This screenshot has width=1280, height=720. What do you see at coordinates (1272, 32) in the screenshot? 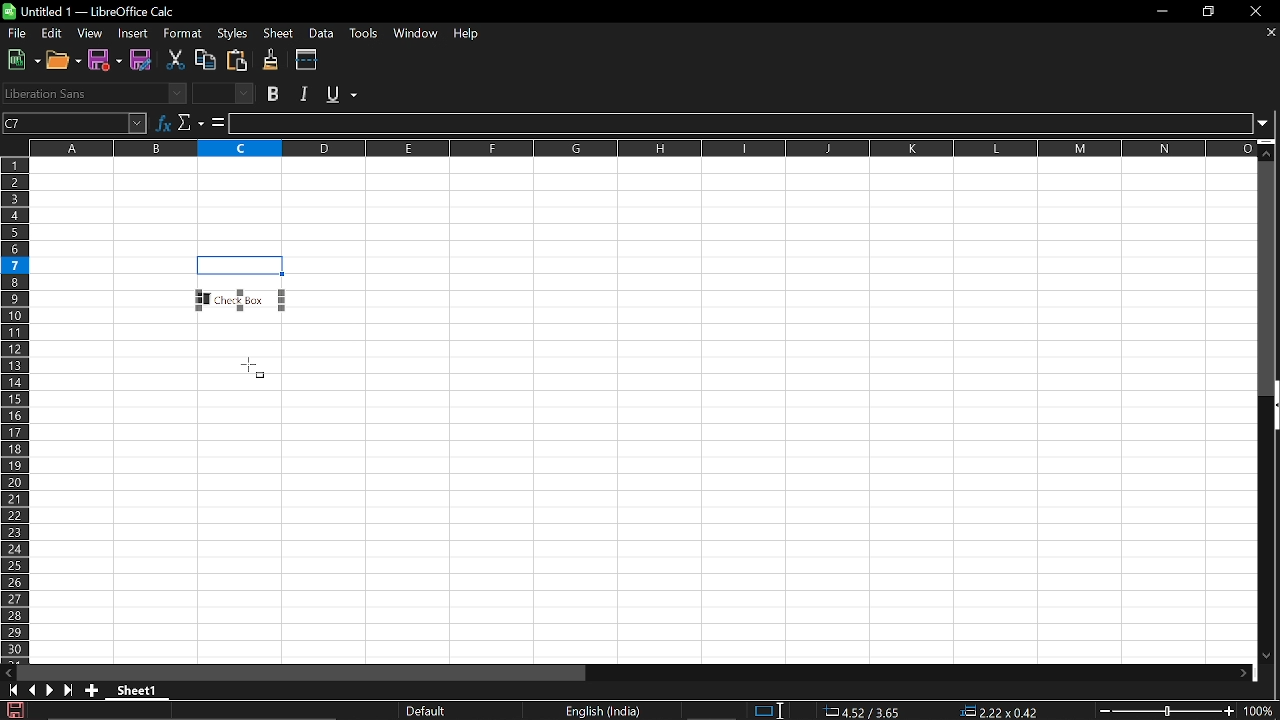
I see `Close document` at bounding box center [1272, 32].